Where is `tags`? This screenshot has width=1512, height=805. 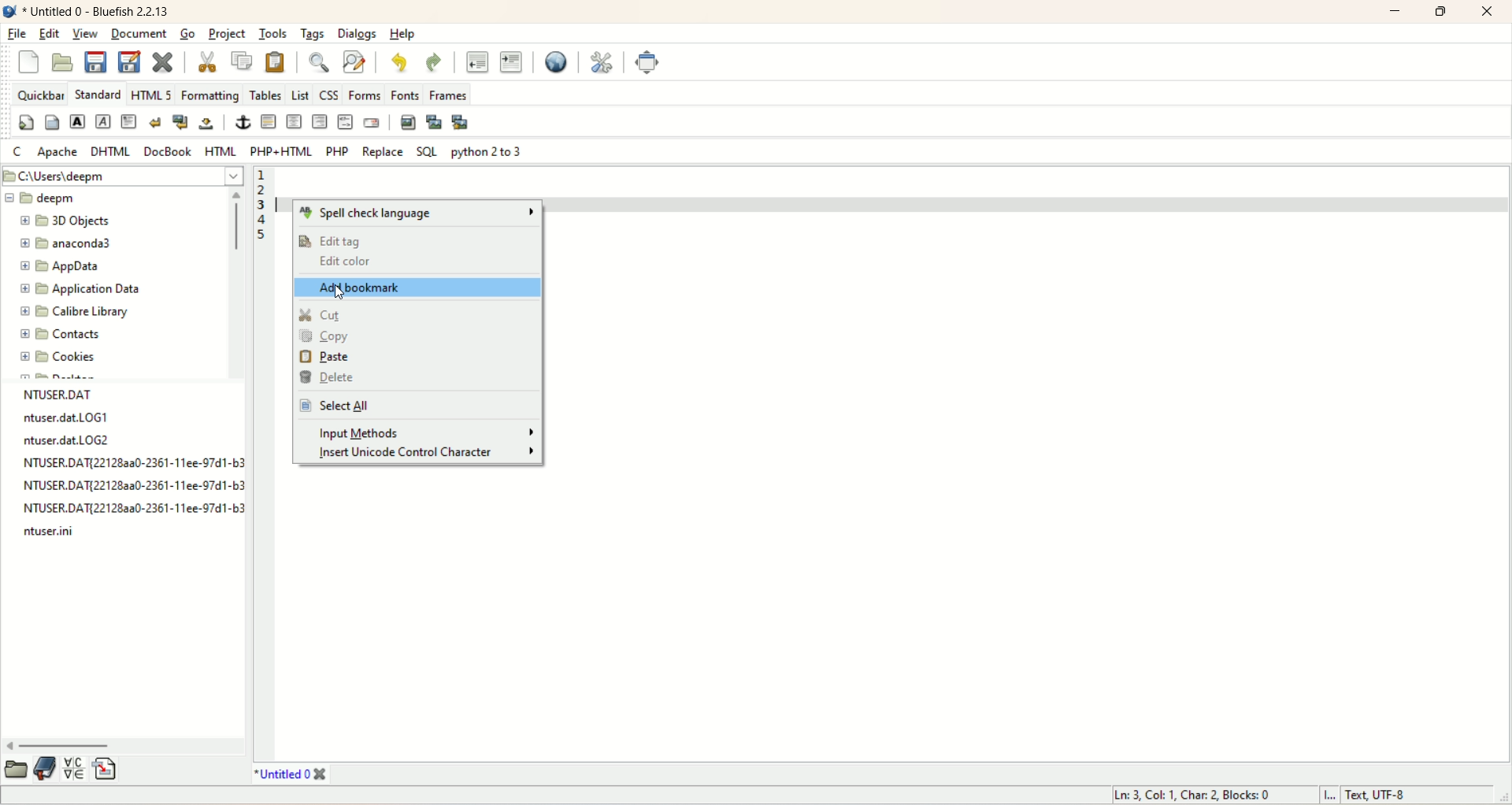
tags is located at coordinates (313, 33).